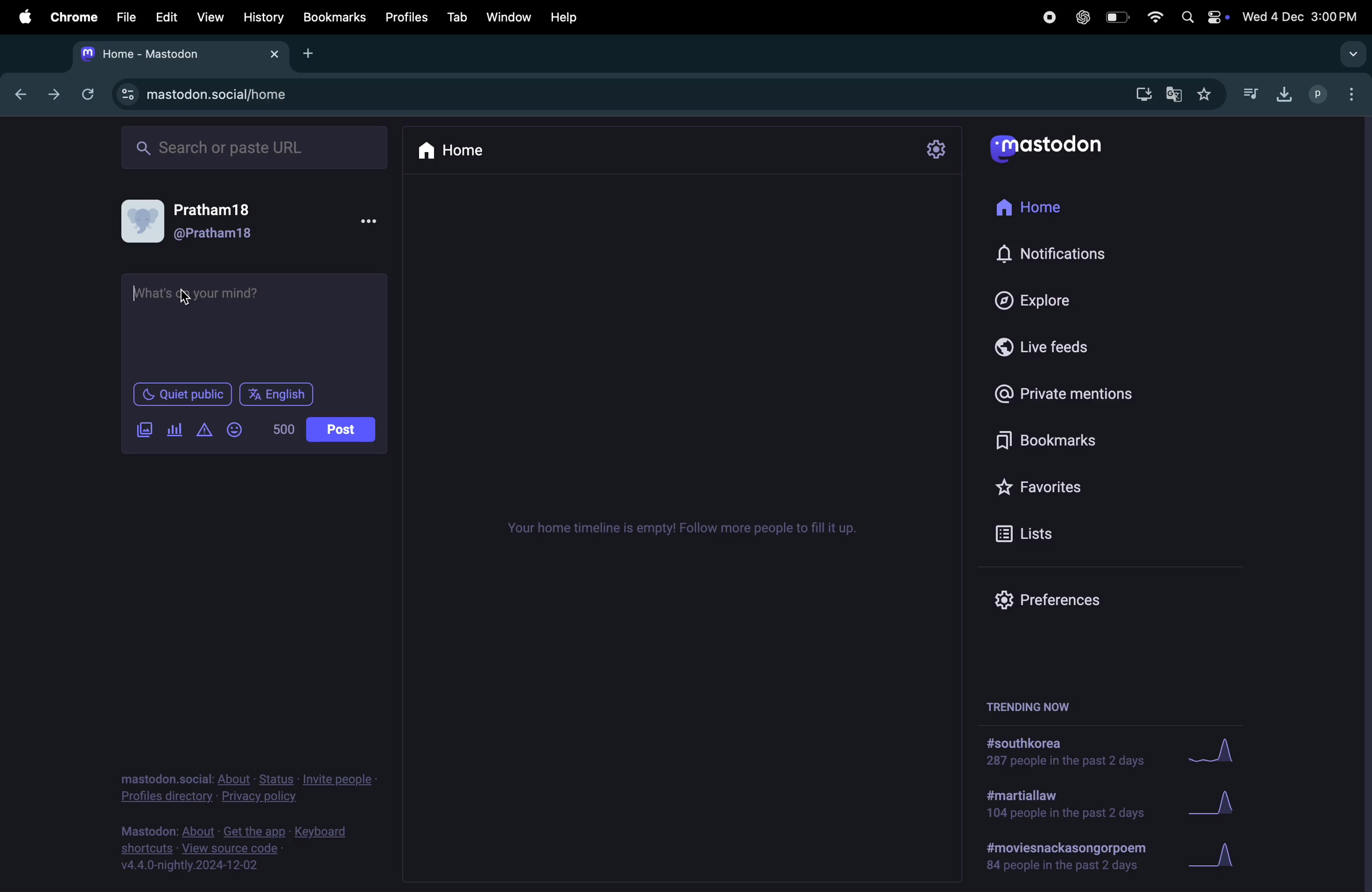  I want to click on privacy and policy, so click(244, 785).